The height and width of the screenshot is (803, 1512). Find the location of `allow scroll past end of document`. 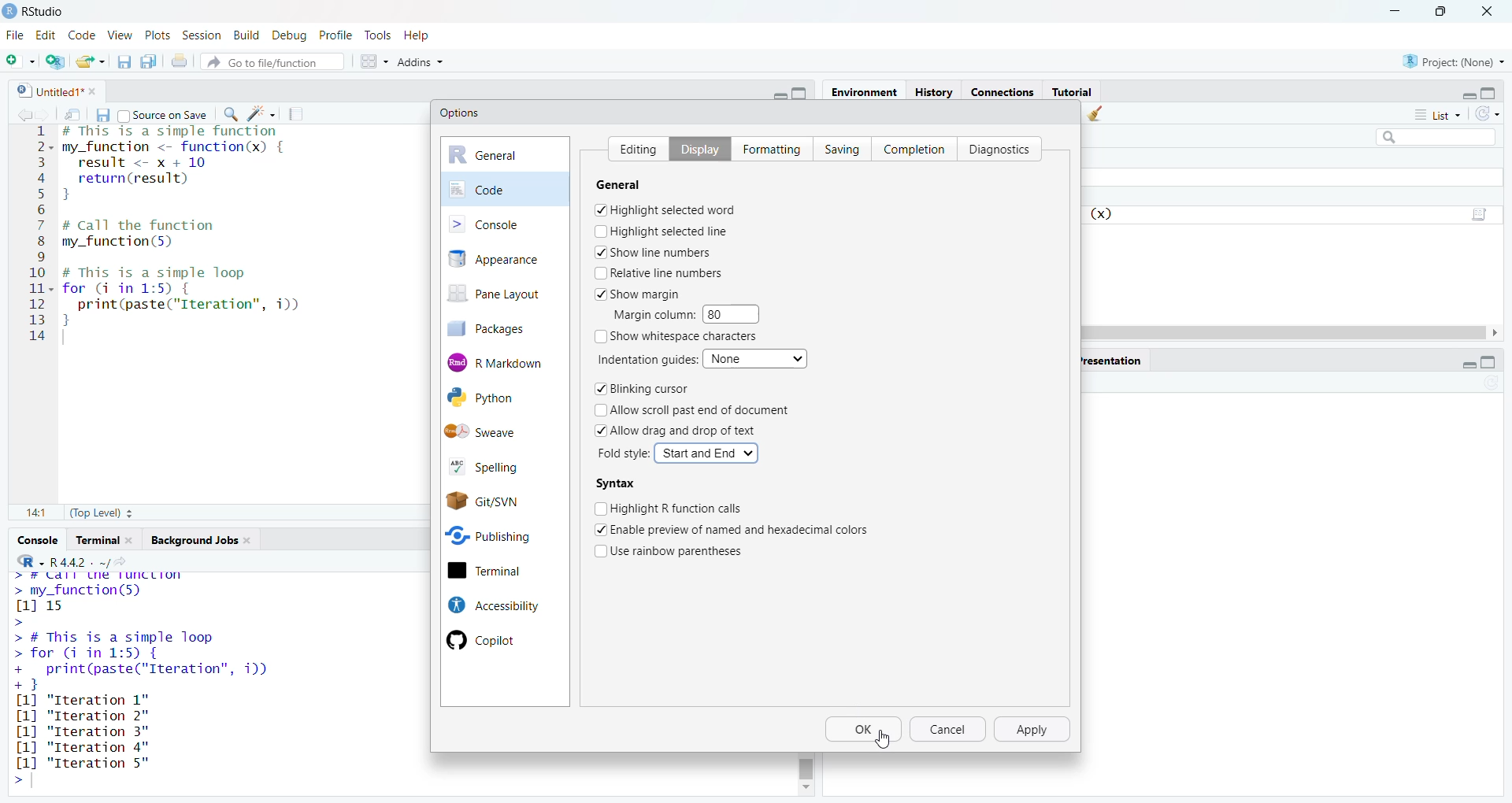

allow scroll past end of document is located at coordinates (701, 410).